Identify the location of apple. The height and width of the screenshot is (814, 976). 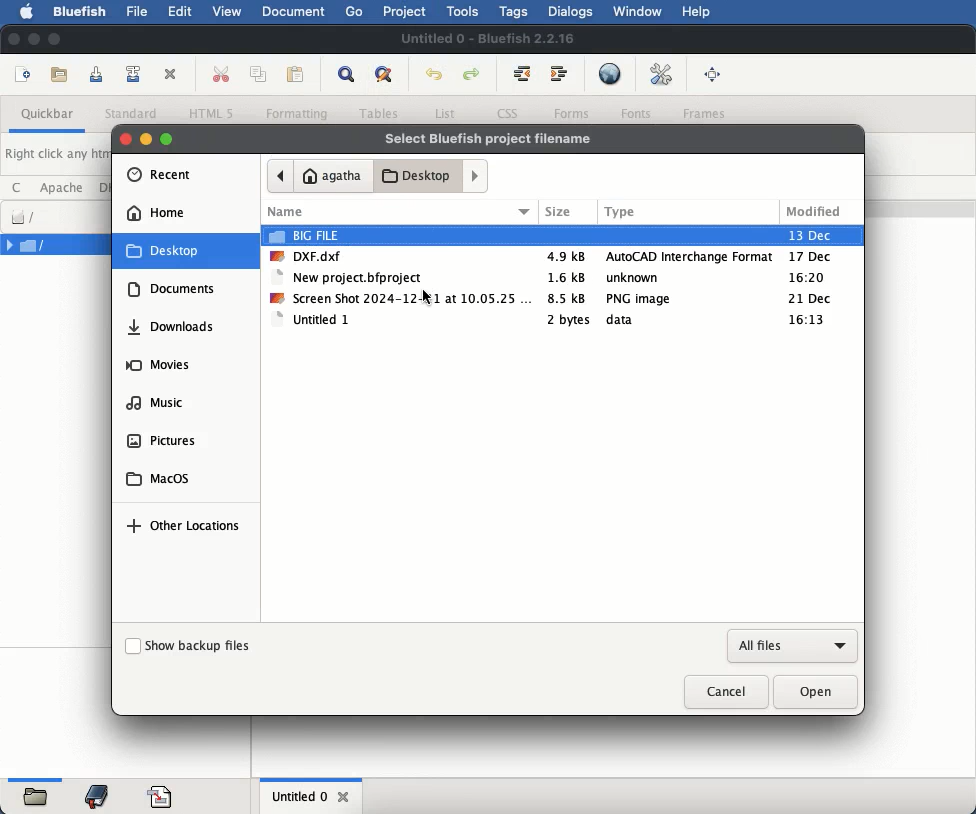
(29, 12).